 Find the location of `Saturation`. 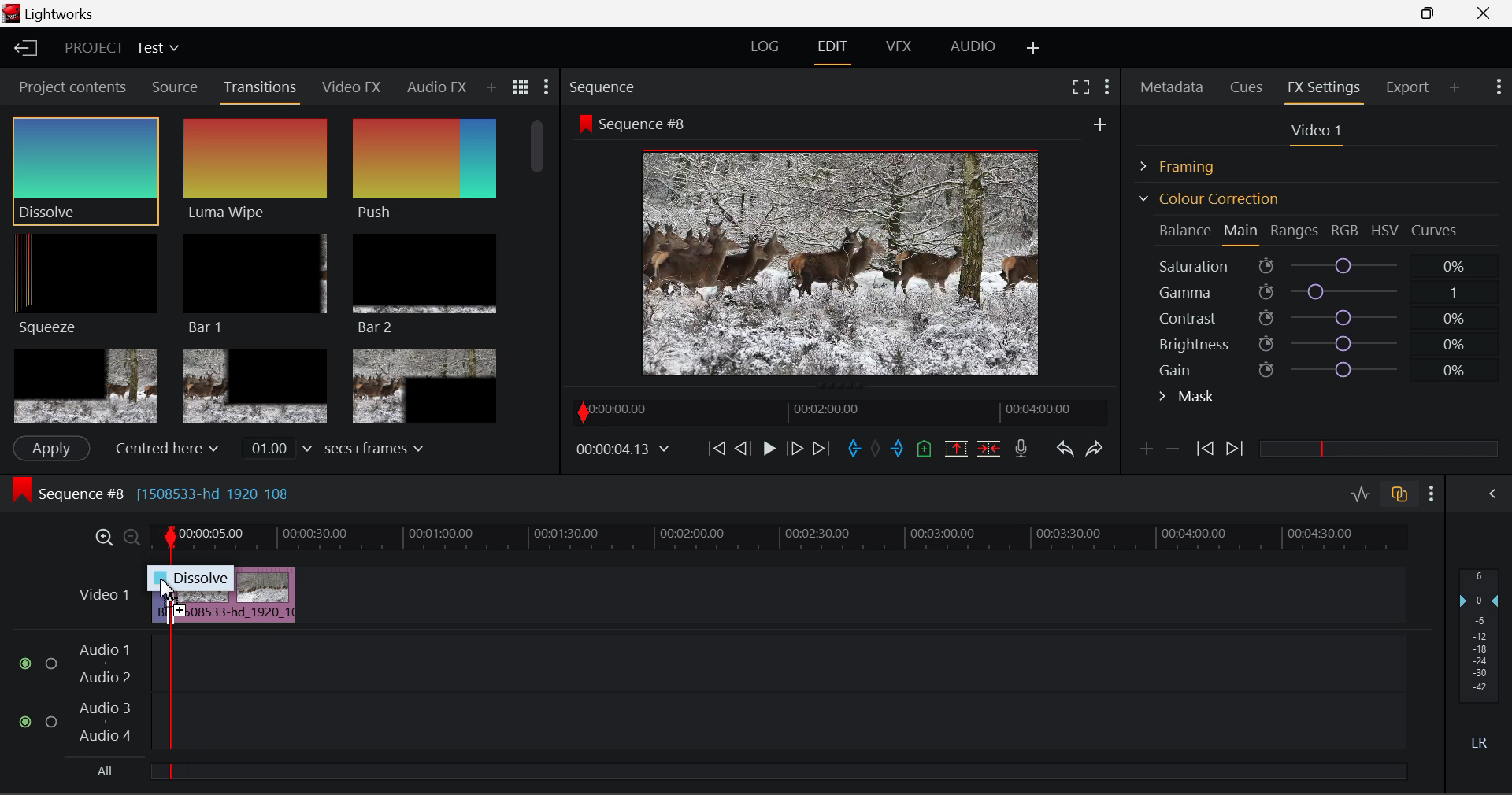

Saturation is located at coordinates (1314, 263).